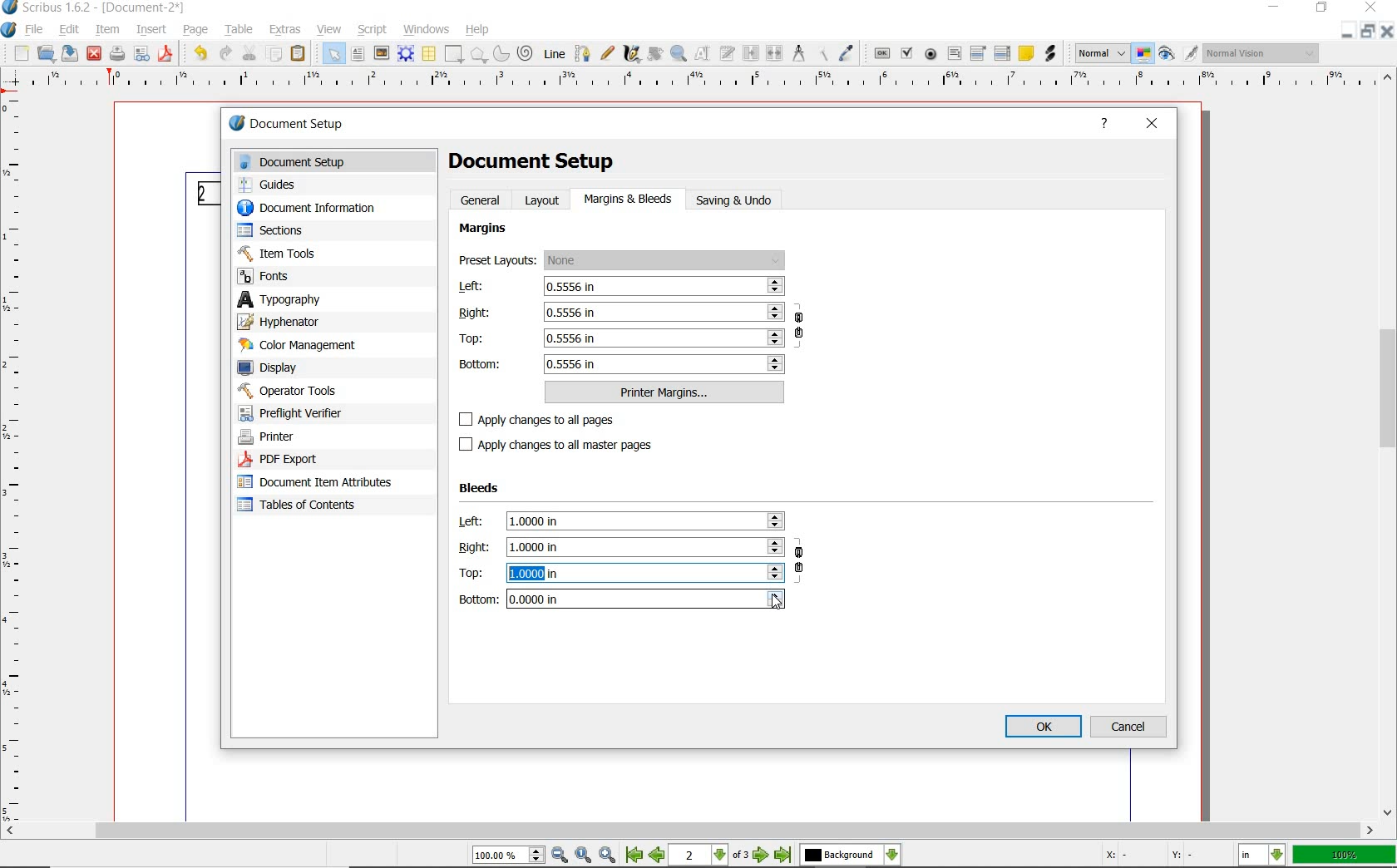 The width and height of the screenshot is (1397, 868). What do you see at coordinates (689, 832) in the screenshot?
I see `scroll bar` at bounding box center [689, 832].